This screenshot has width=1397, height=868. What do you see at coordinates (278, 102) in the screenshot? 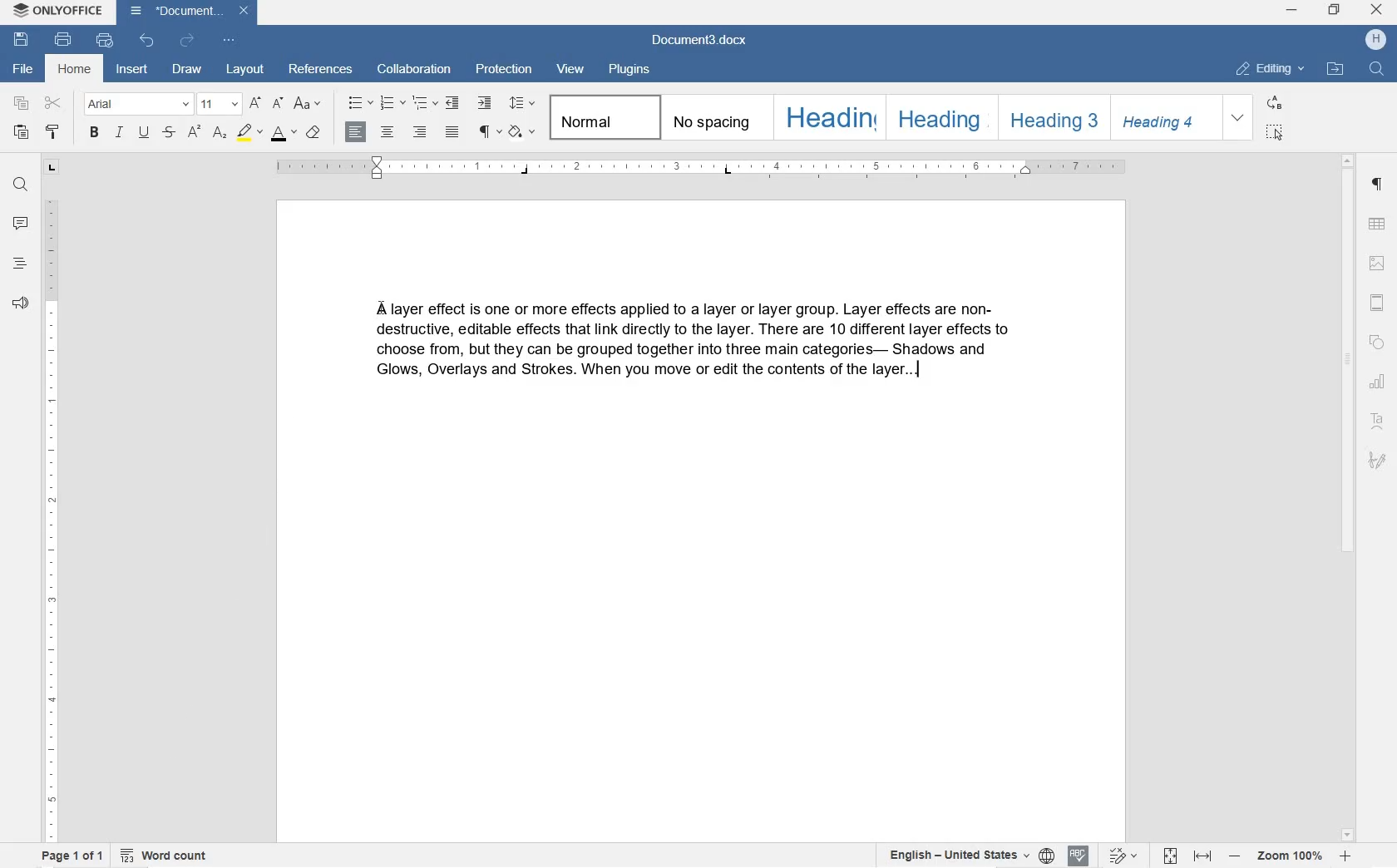
I see `DECREMENT FONT SIZE` at bounding box center [278, 102].